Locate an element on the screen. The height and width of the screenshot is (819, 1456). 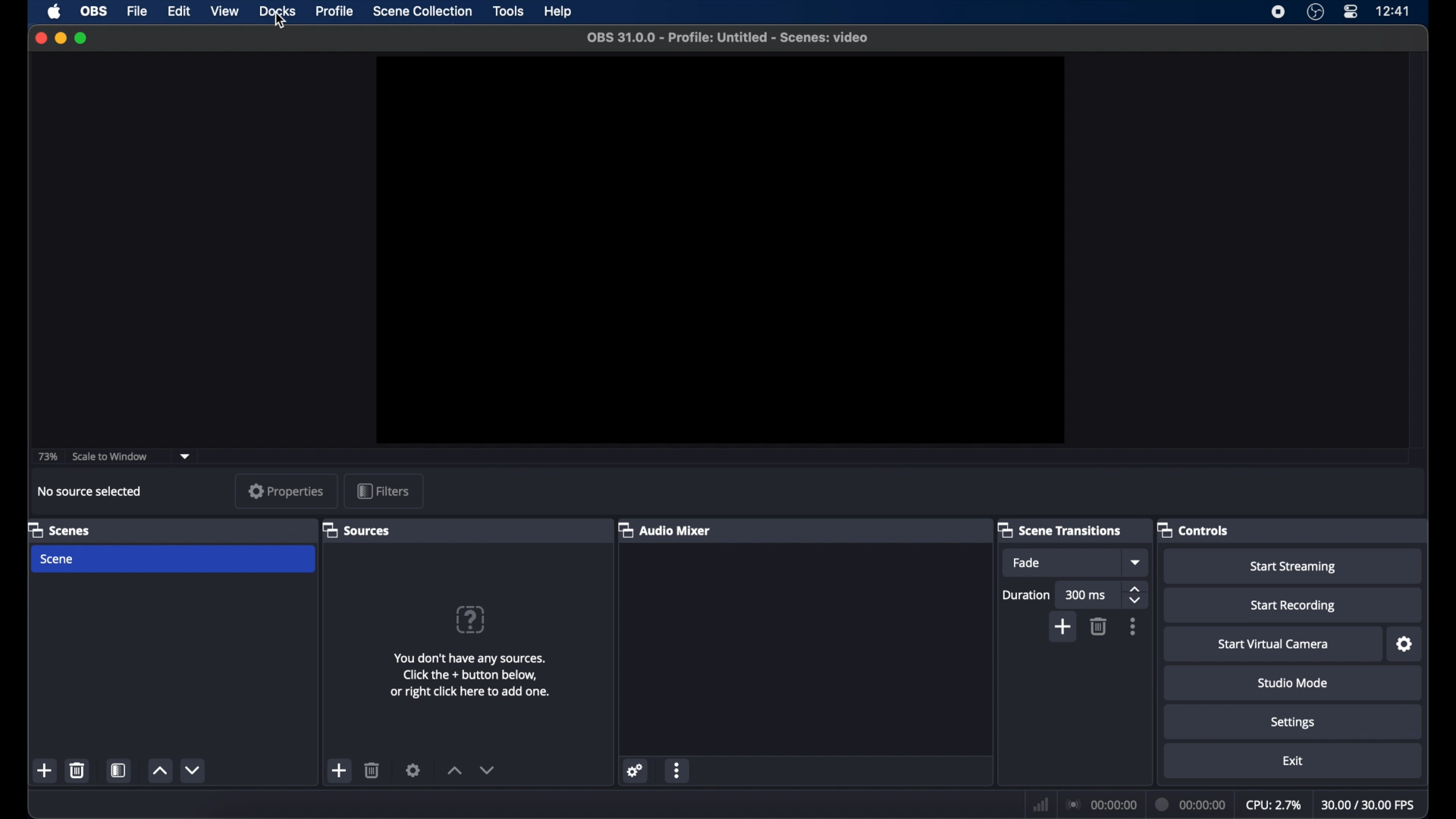
300 ms is located at coordinates (1087, 595).